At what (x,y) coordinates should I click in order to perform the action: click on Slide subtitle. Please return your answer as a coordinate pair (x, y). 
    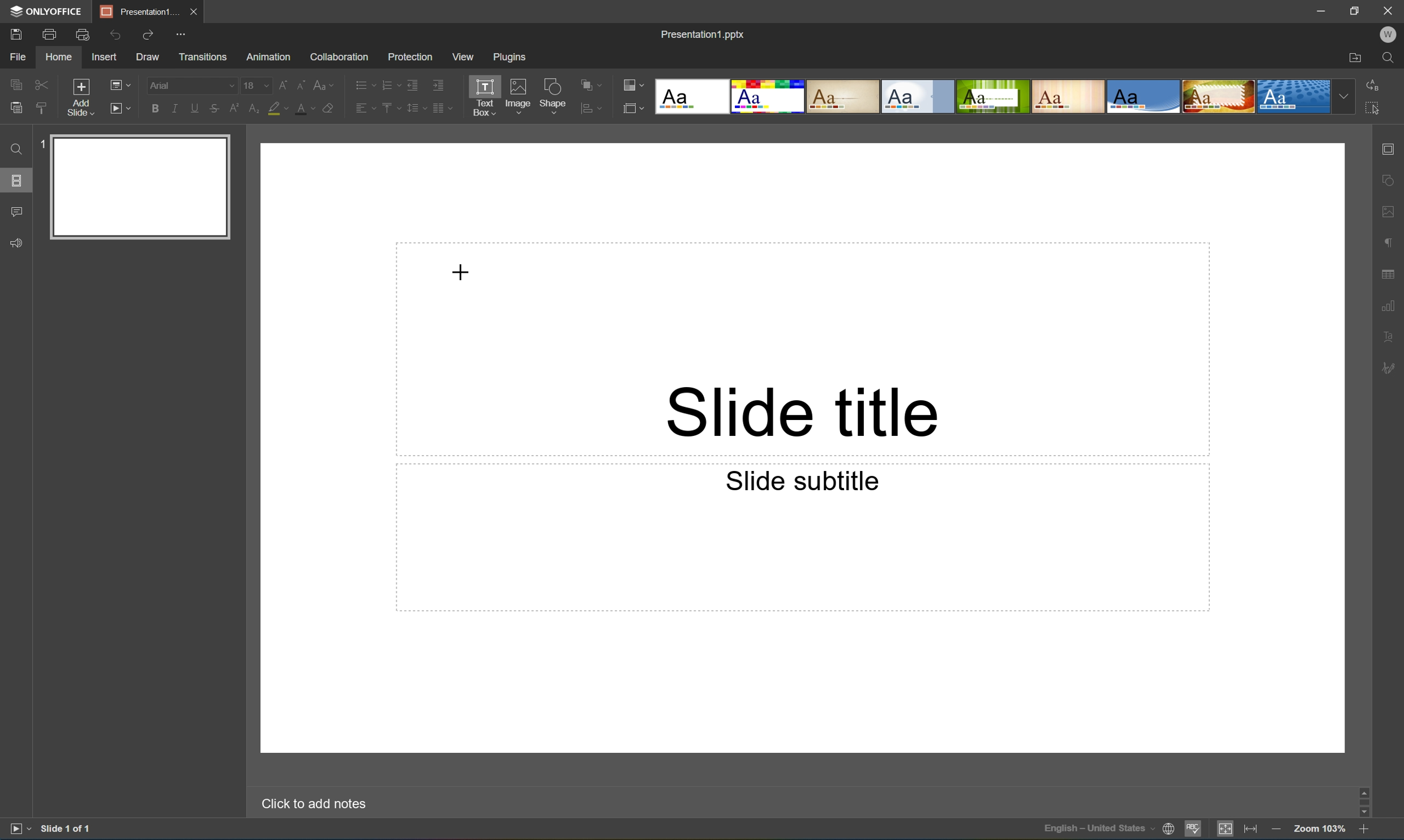
    Looking at the image, I should click on (804, 481).